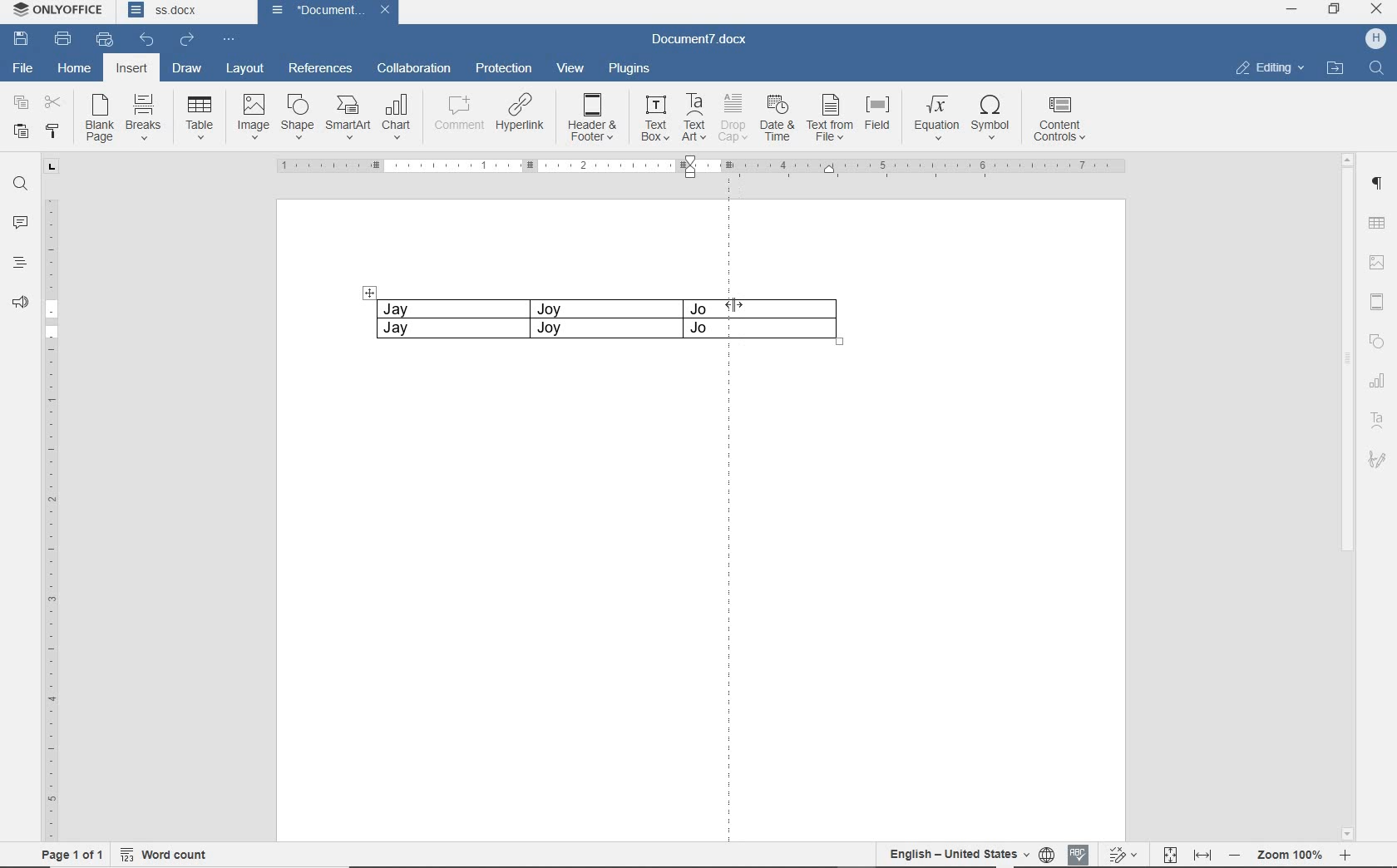 The width and height of the screenshot is (1397, 868). I want to click on RESTORE DOWN, so click(1337, 8).